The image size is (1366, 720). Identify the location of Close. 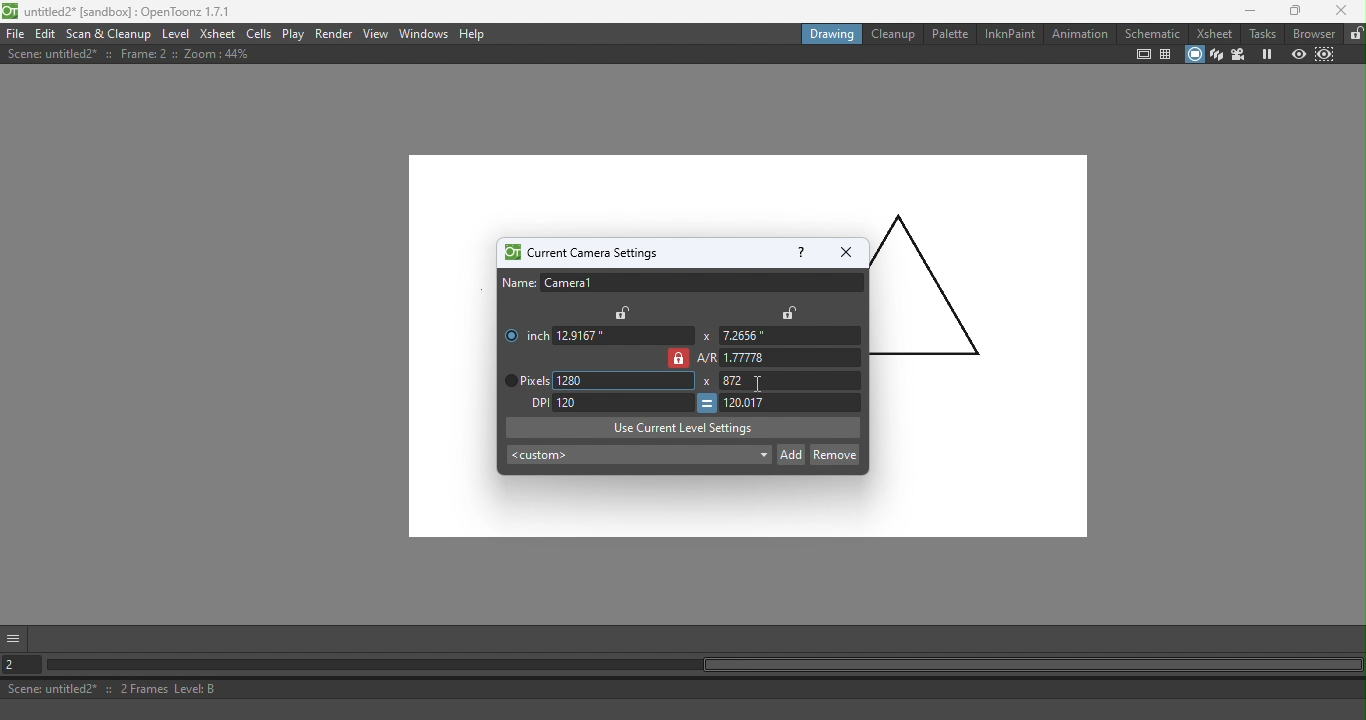
(1341, 11).